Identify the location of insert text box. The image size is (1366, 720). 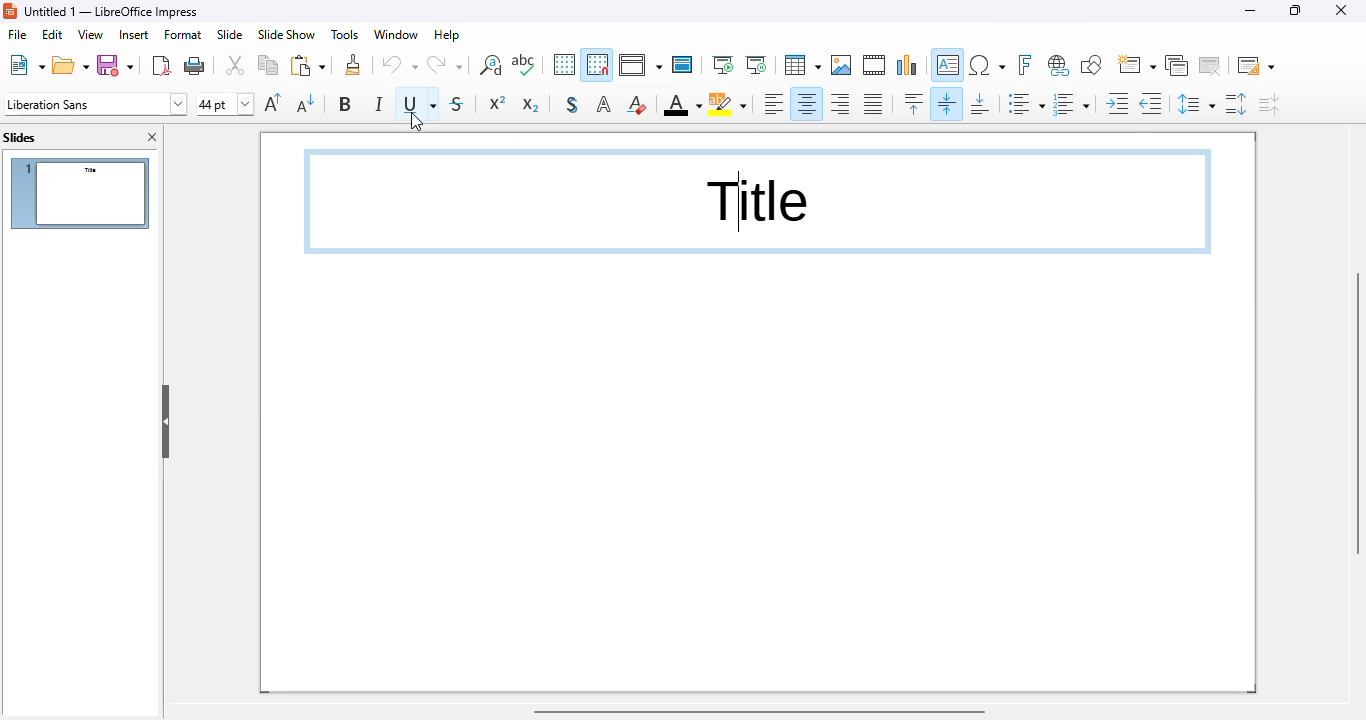
(947, 65).